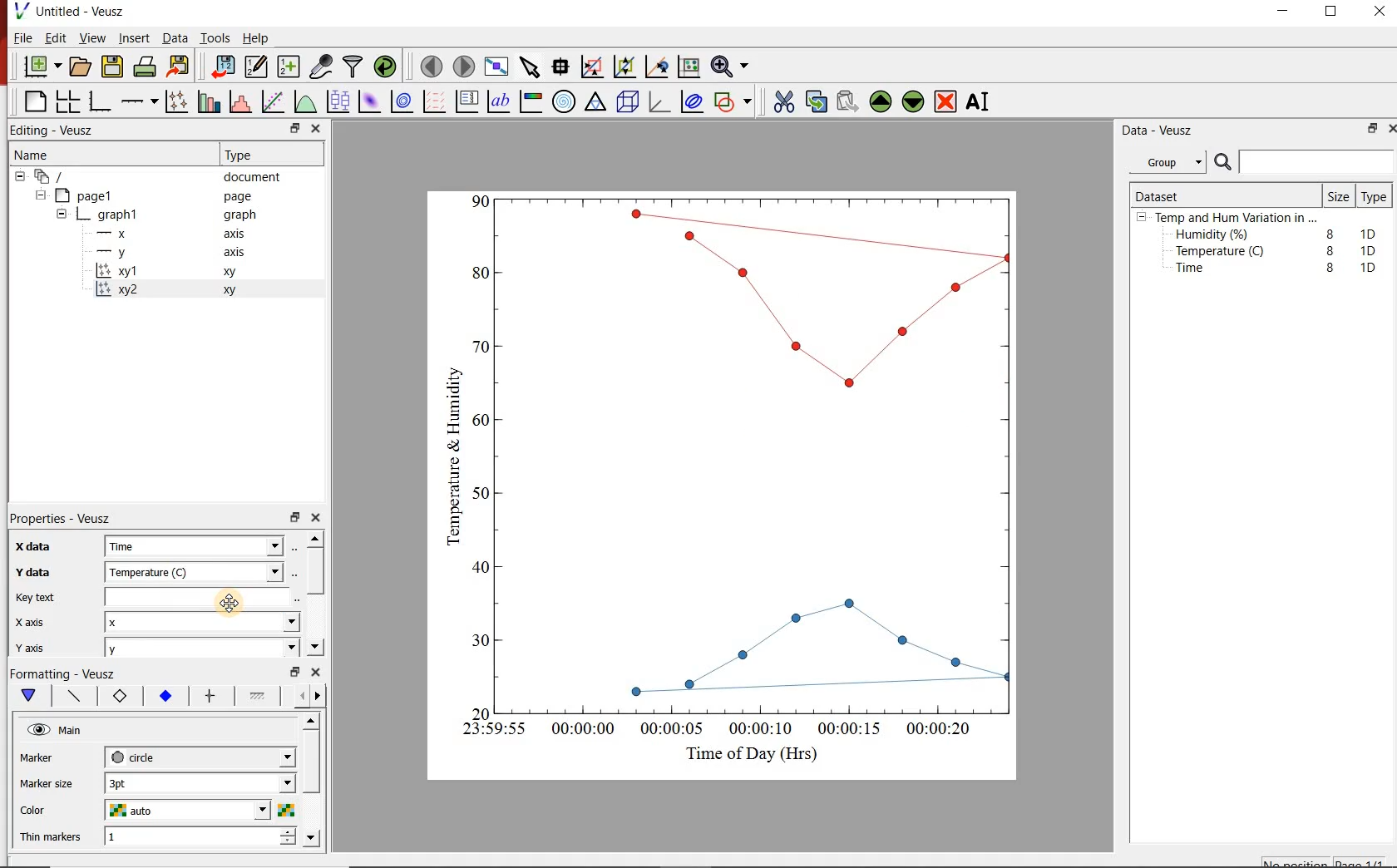  What do you see at coordinates (1223, 253) in the screenshot?
I see `Temperature (C)` at bounding box center [1223, 253].